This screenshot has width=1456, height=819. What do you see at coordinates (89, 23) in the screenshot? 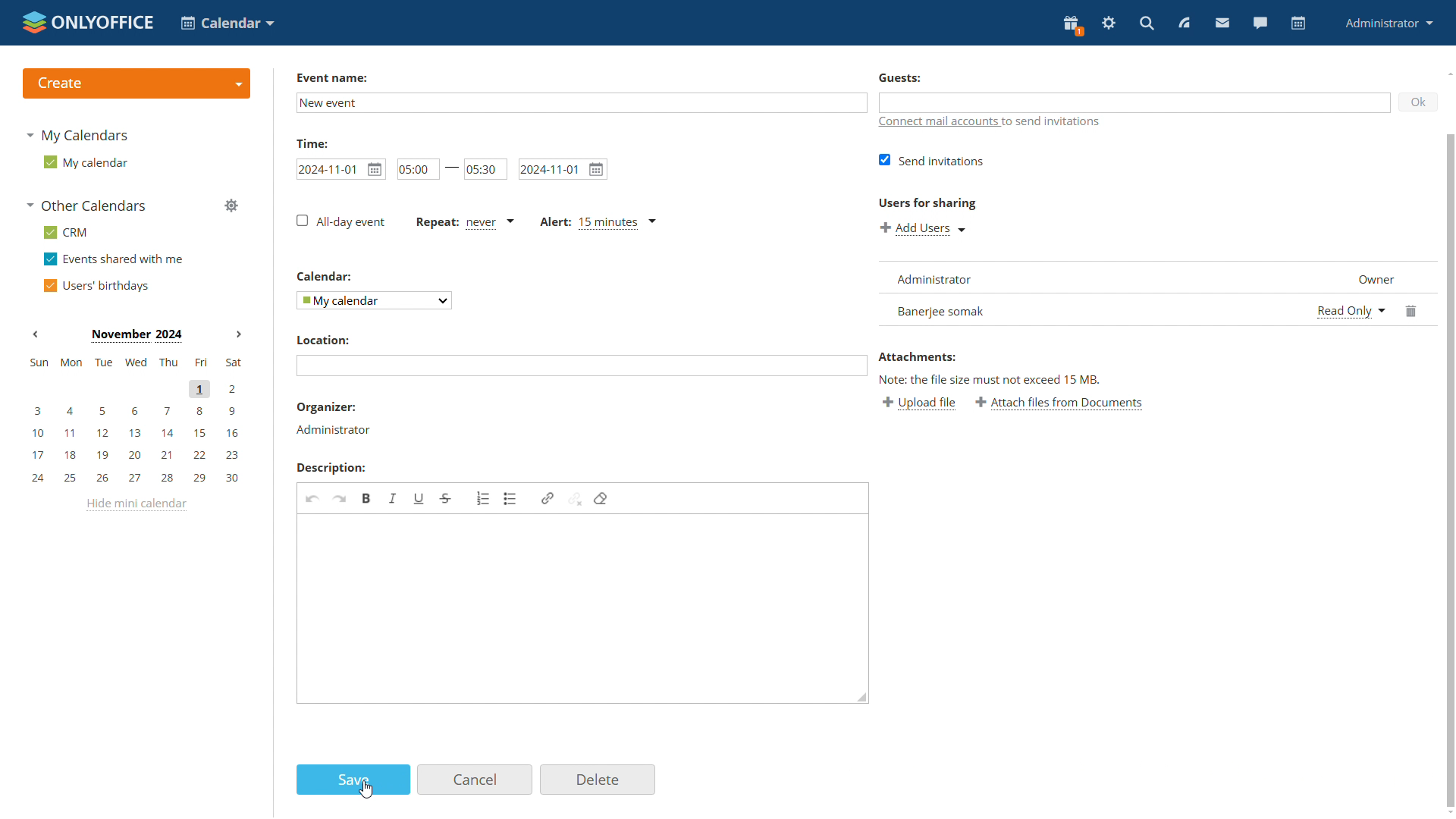
I see `logo` at bounding box center [89, 23].